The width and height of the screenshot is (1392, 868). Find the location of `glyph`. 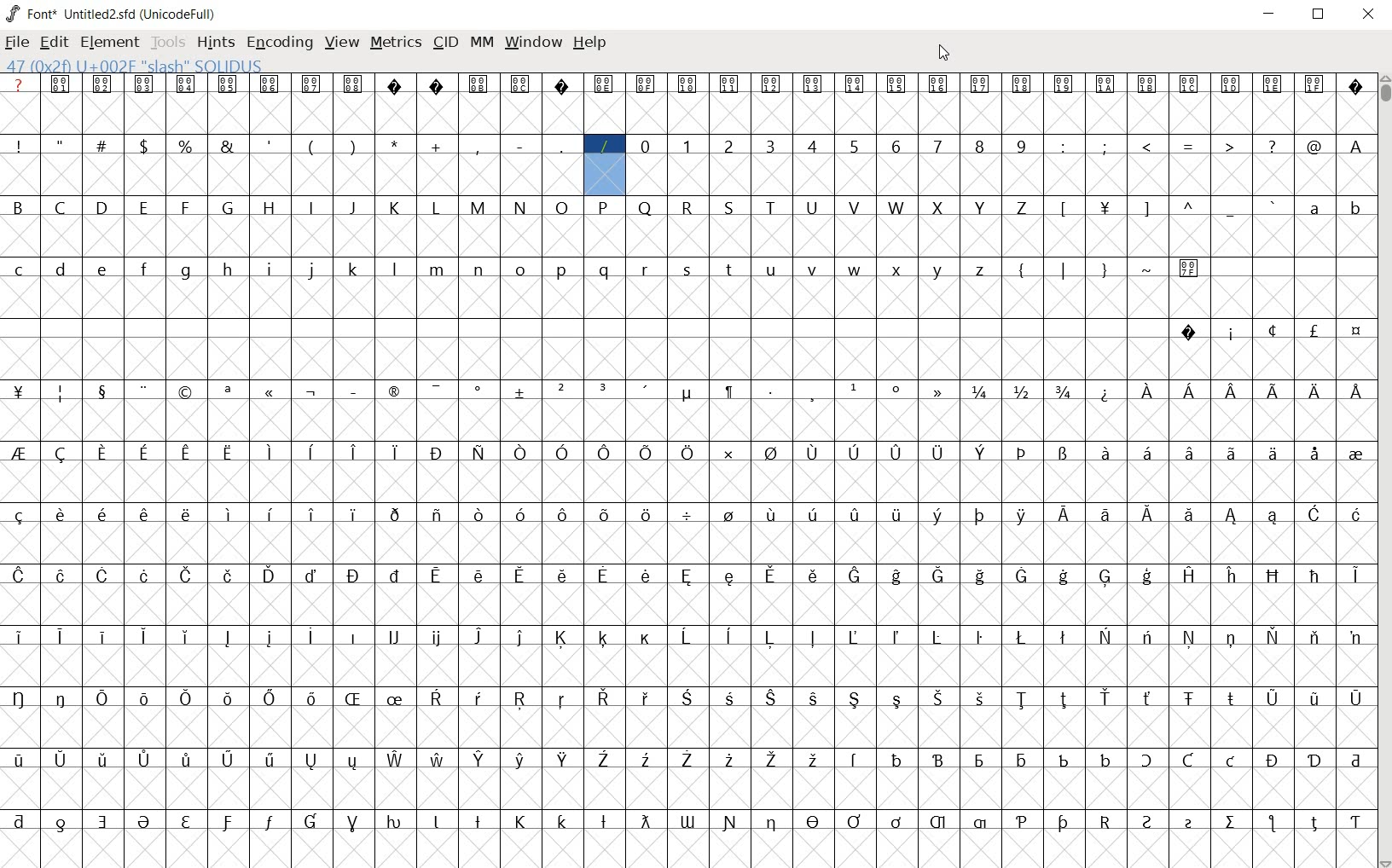

glyph is located at coordinates (1273, 576).